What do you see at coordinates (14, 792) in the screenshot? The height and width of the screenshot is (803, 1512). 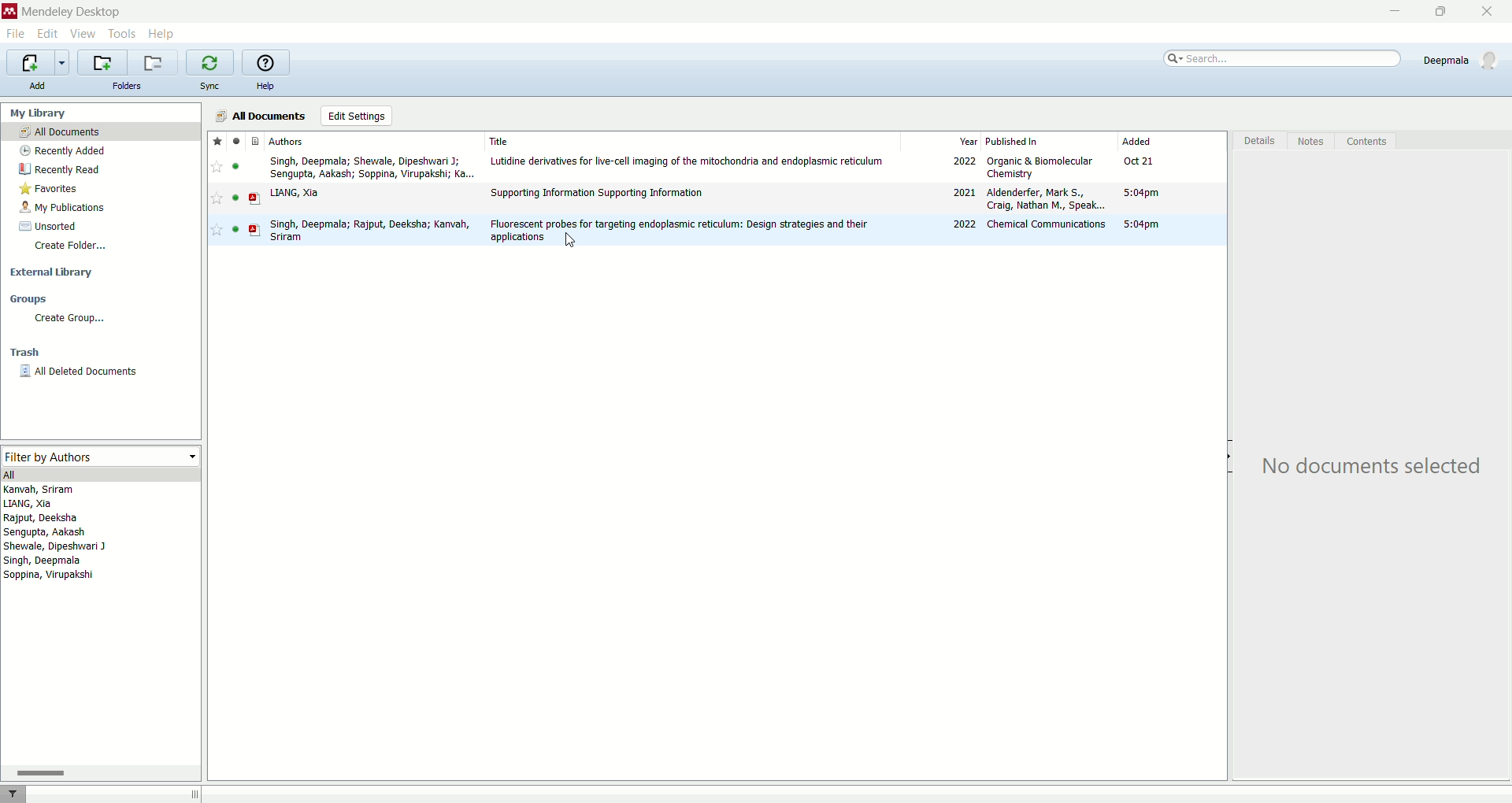 I see `filter` at bounding box center [14, 792].